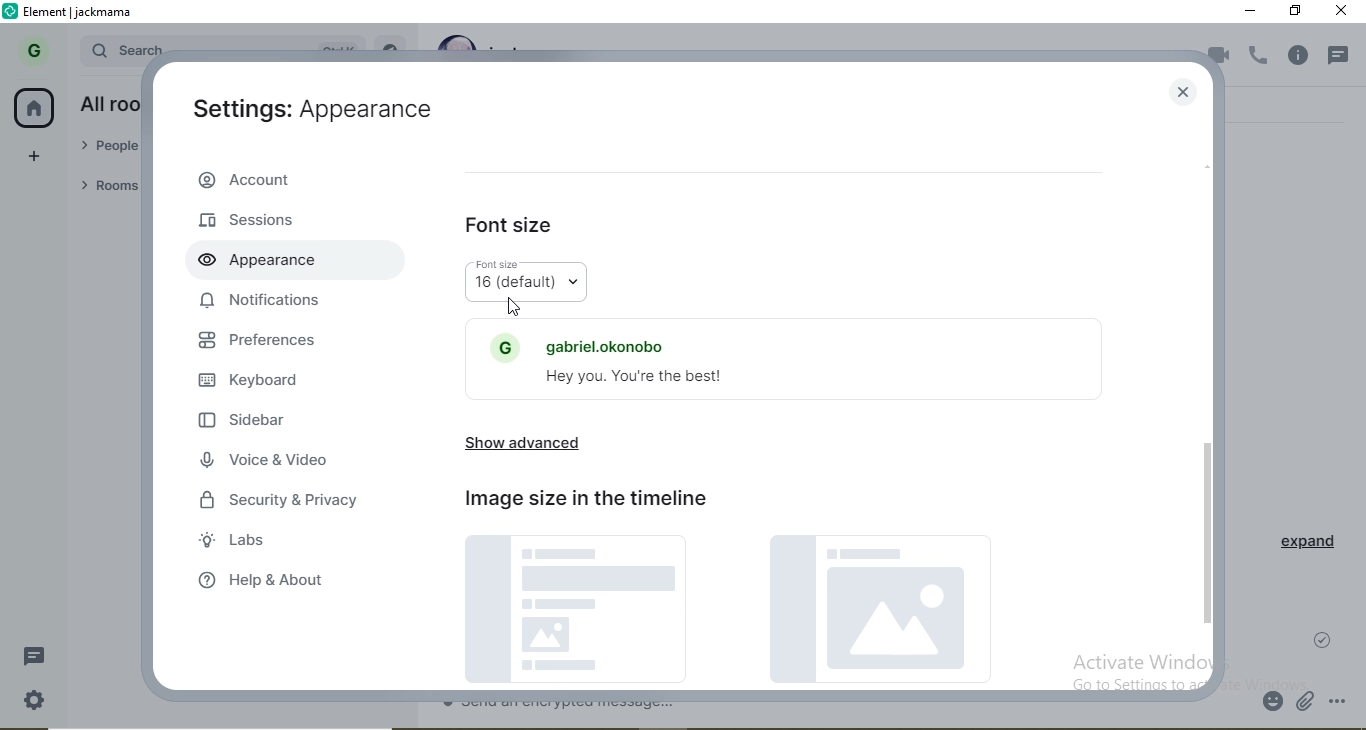 This screenshot has height=730, width=1366. I want to click on labs, so click(238, 538).